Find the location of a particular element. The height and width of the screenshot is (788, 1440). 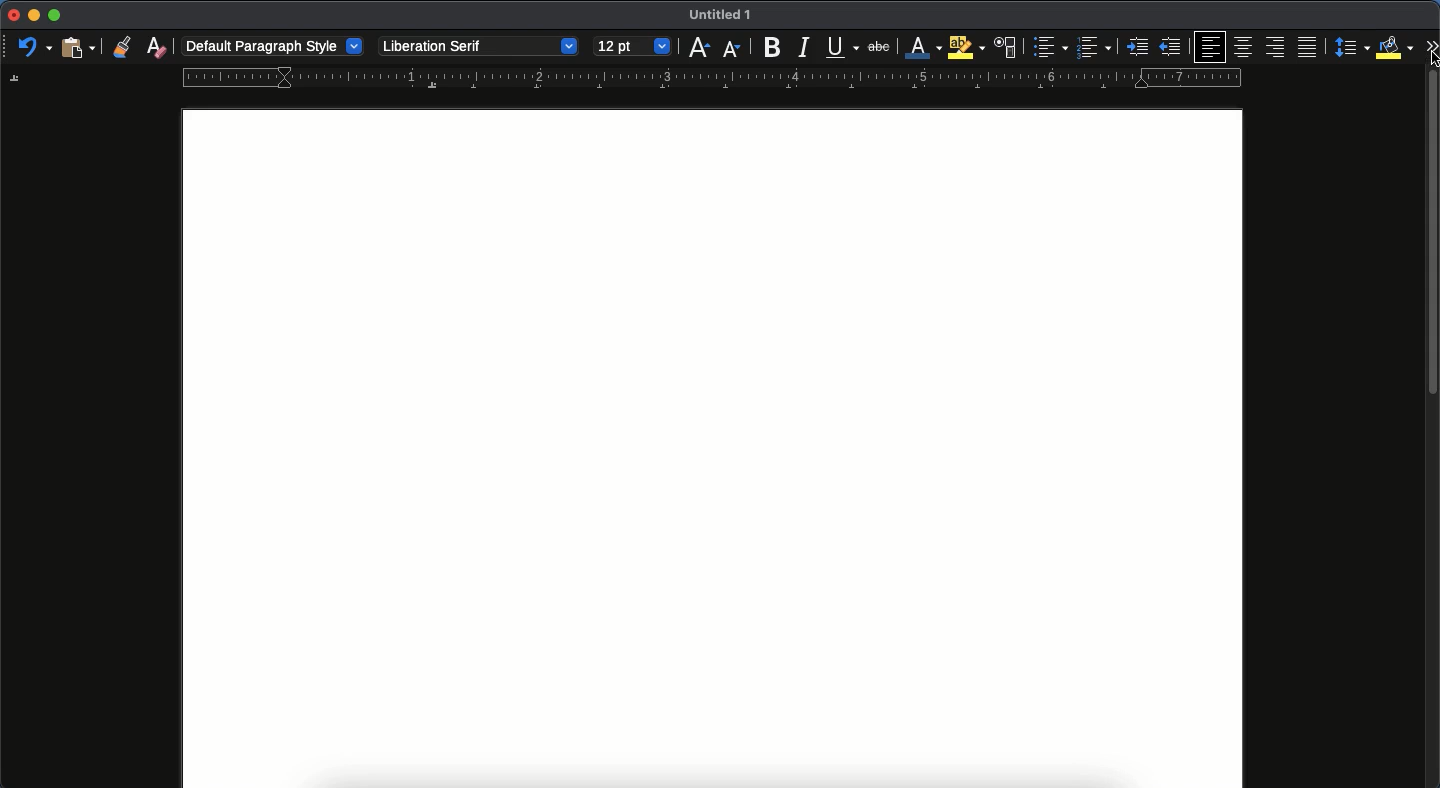

highlight color is located at coordinates (964, 47).